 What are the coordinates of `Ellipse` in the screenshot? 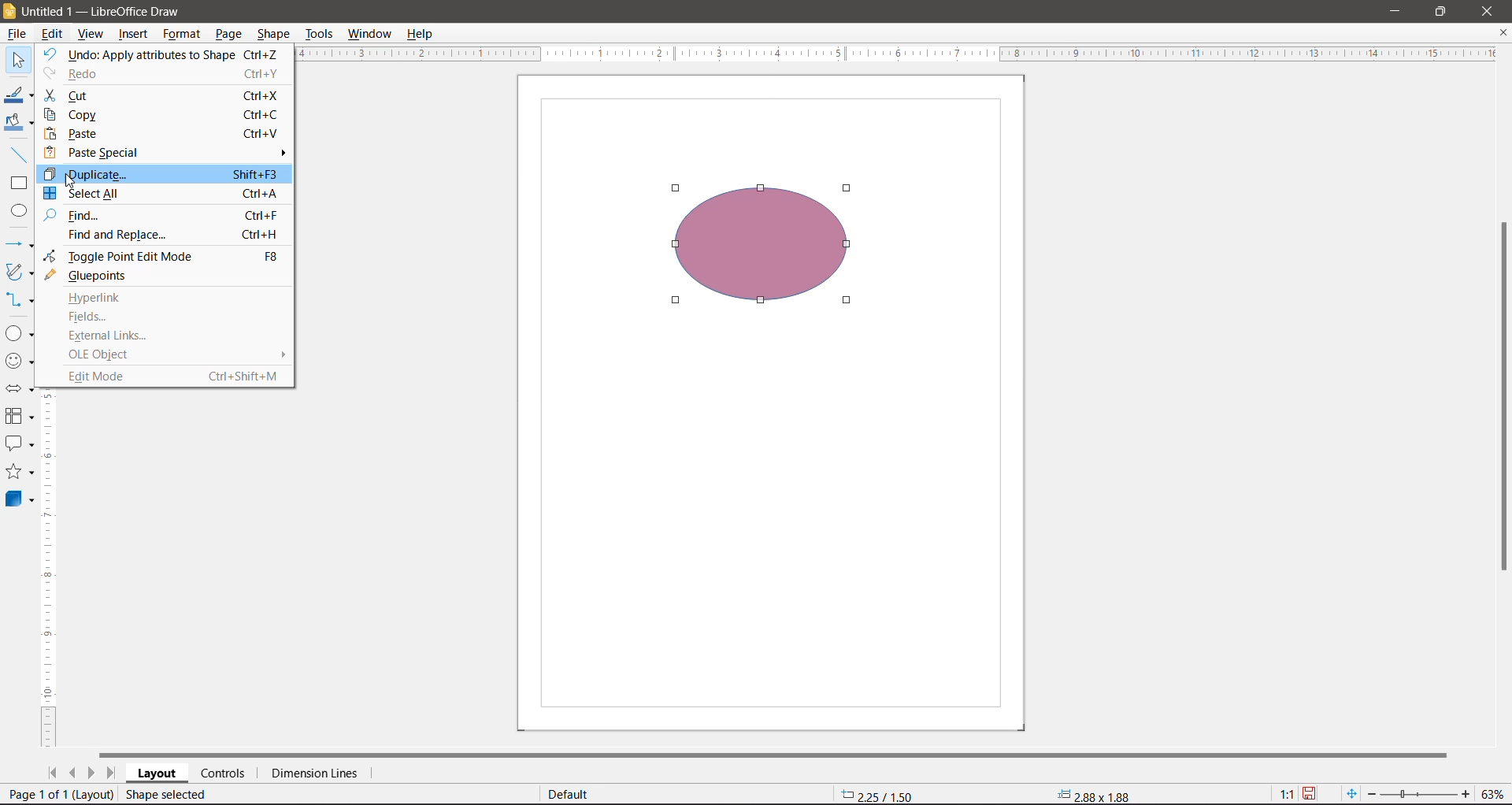 It's located at (18, 210).